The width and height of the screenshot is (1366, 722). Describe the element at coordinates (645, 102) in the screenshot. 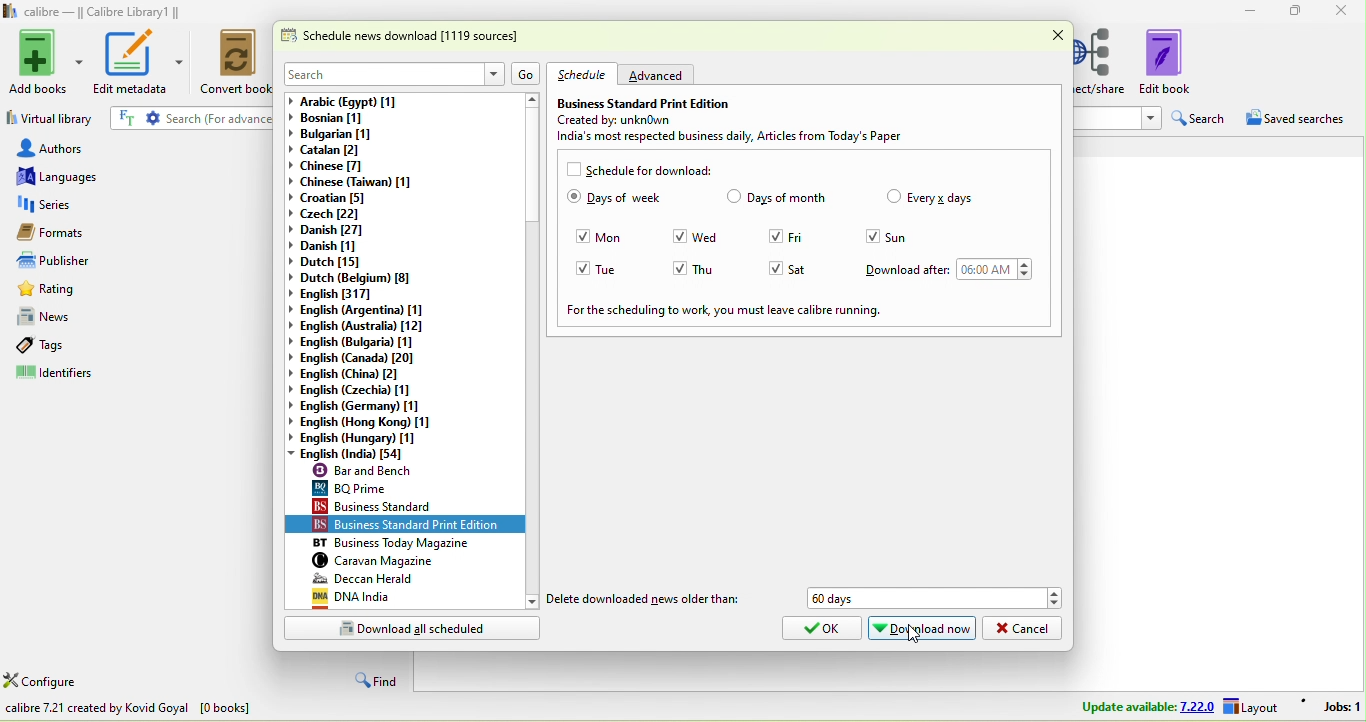

I see `business standard print edition` at that location.